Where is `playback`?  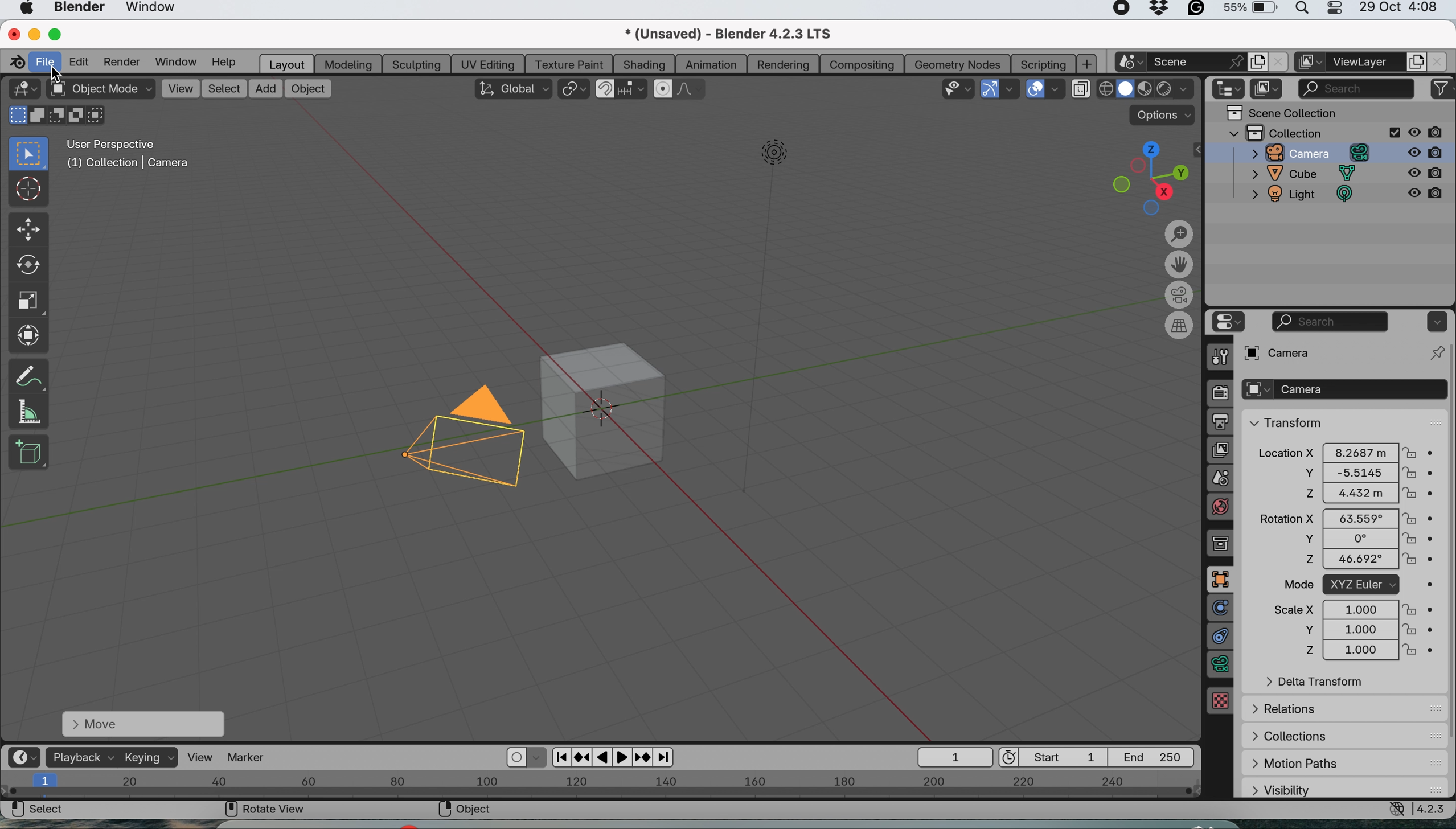 playback is located at coordinates (81, 757).